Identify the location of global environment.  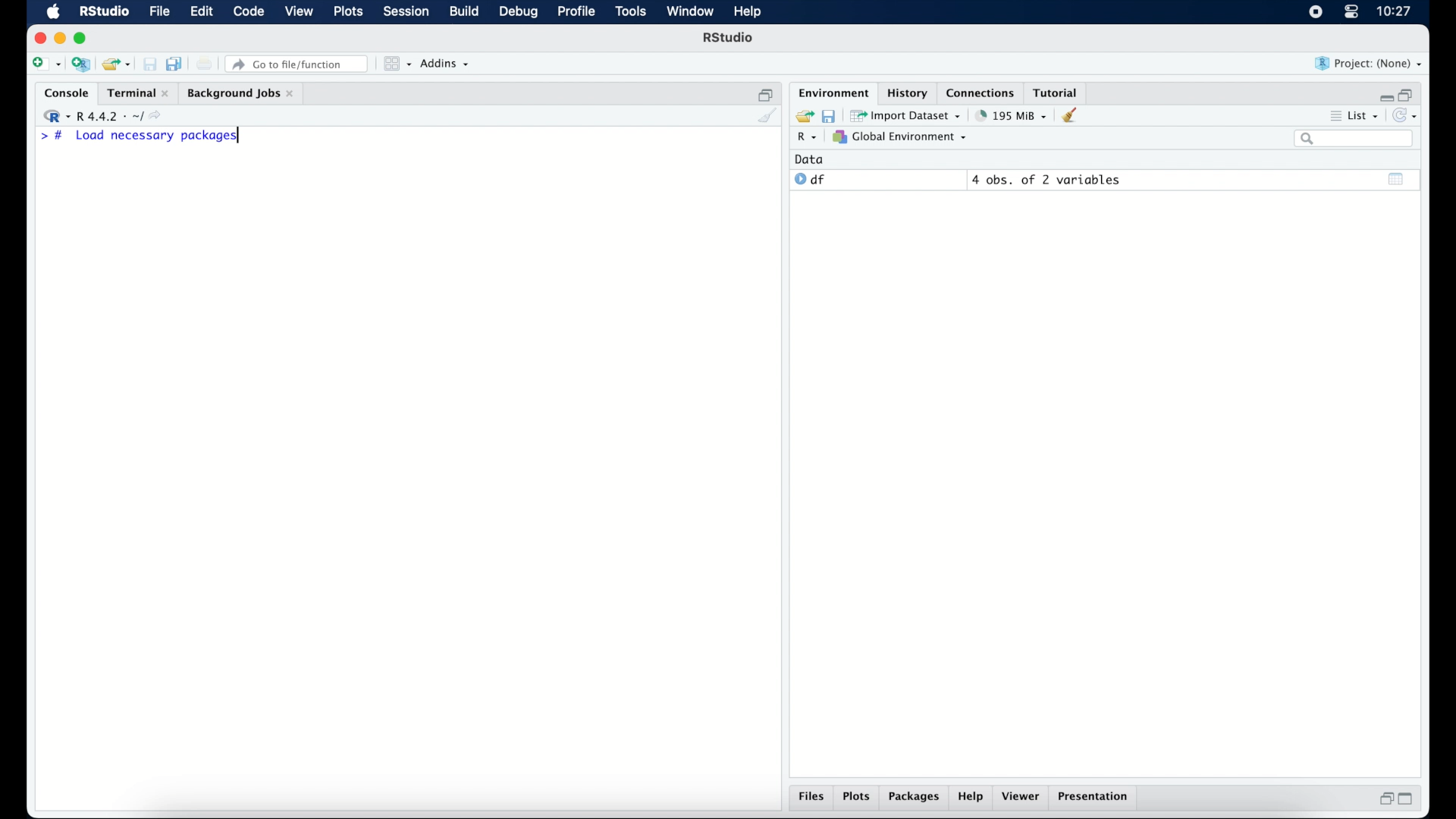
(900, 137).